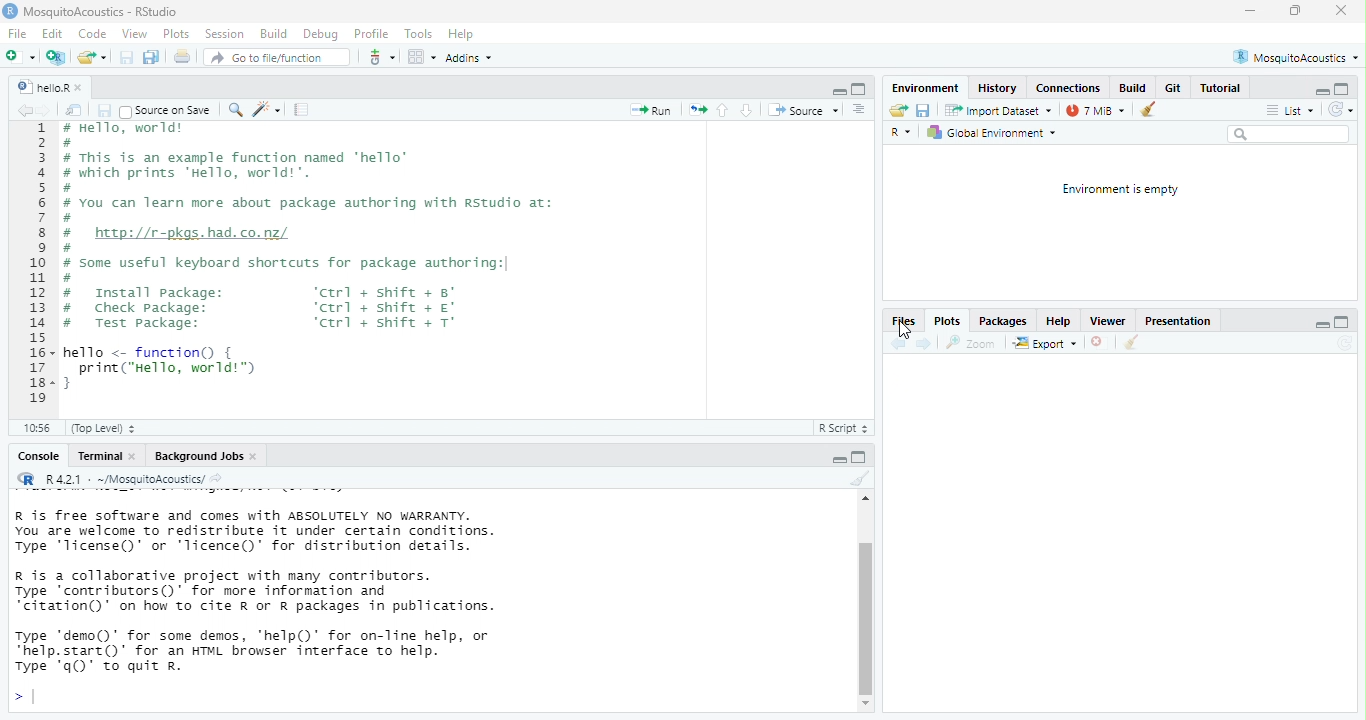 The width and height of the screenshot is (1366, 720). Describe the element at coordinates (1320, 322) in the screenshot. I see `hide r script` at that location.